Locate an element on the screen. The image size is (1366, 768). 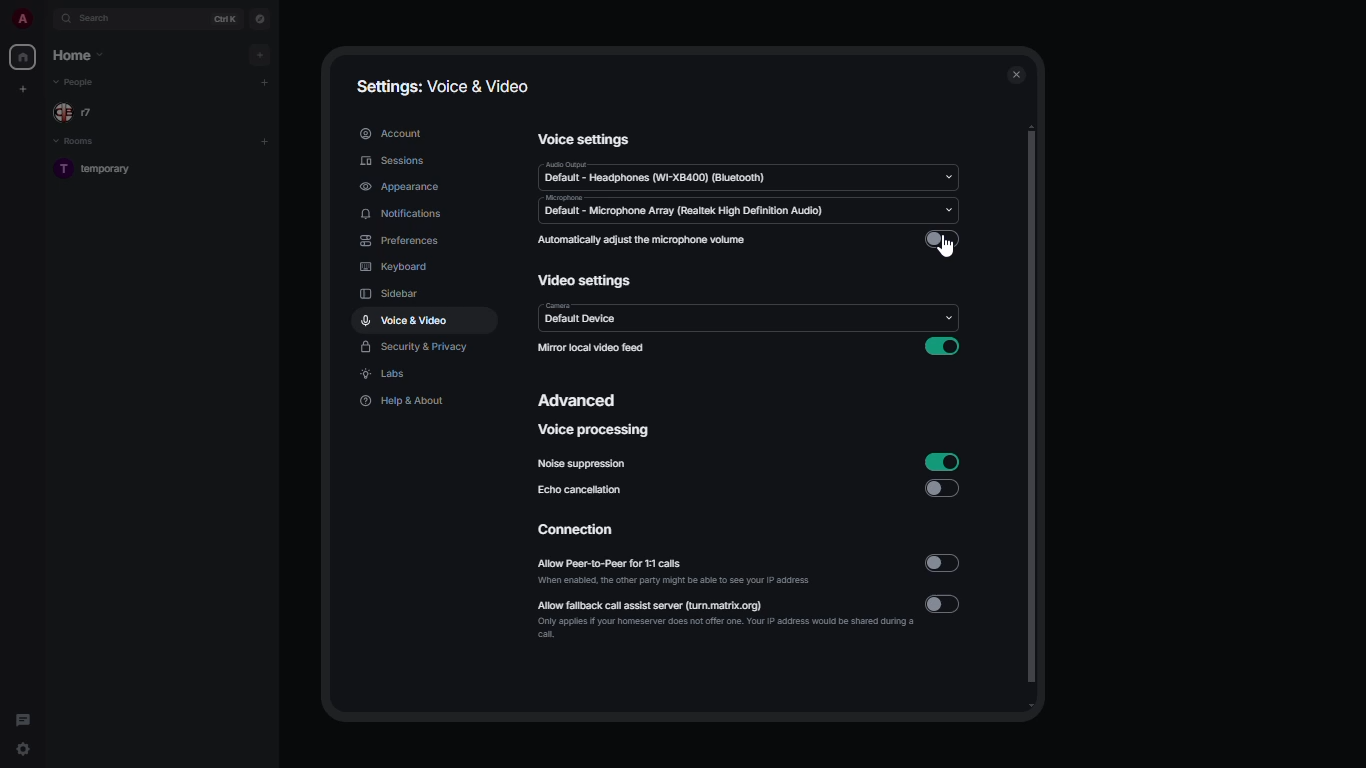
mirror local video feed is located at coordinates (591, 348).